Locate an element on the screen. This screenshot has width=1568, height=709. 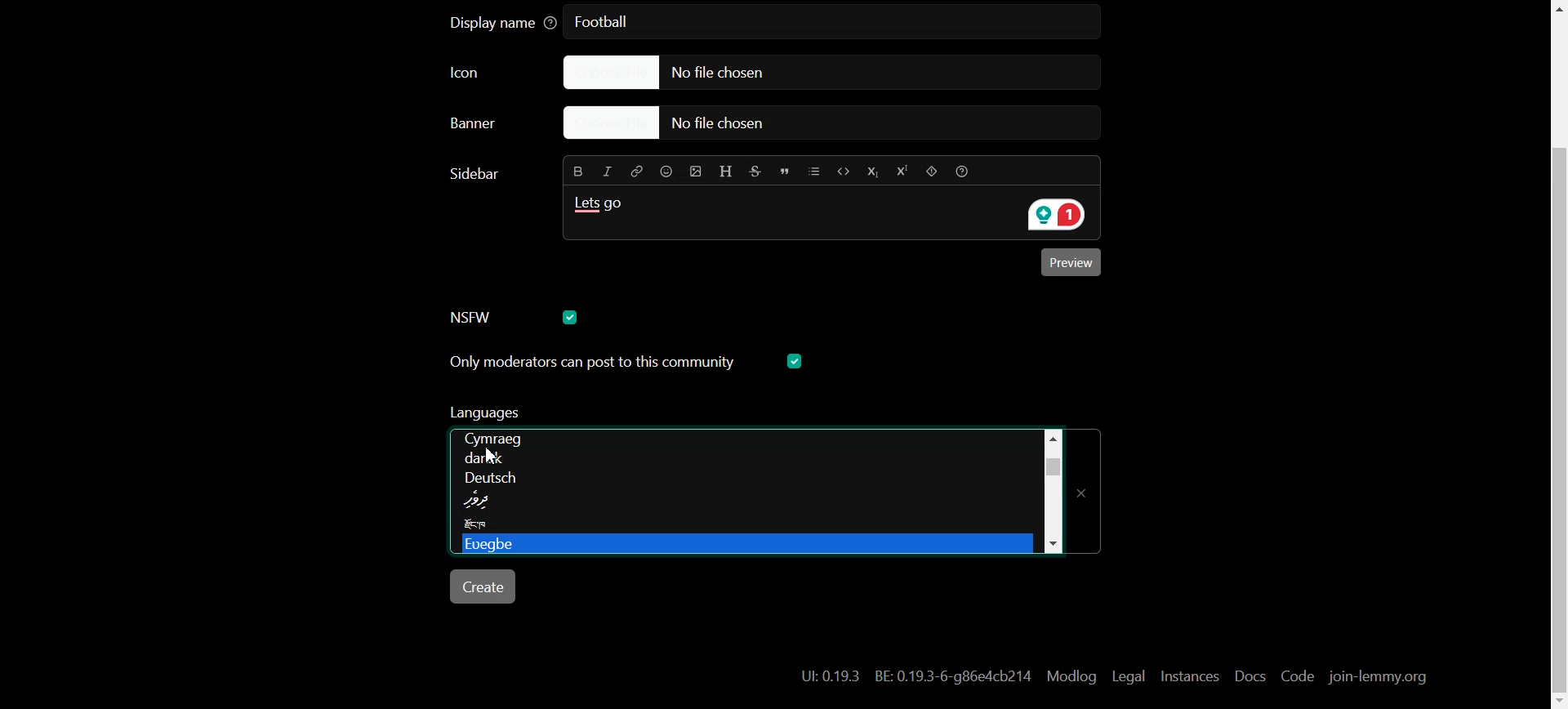
Vertical scroll bar is located at coordinates (1052, 488).